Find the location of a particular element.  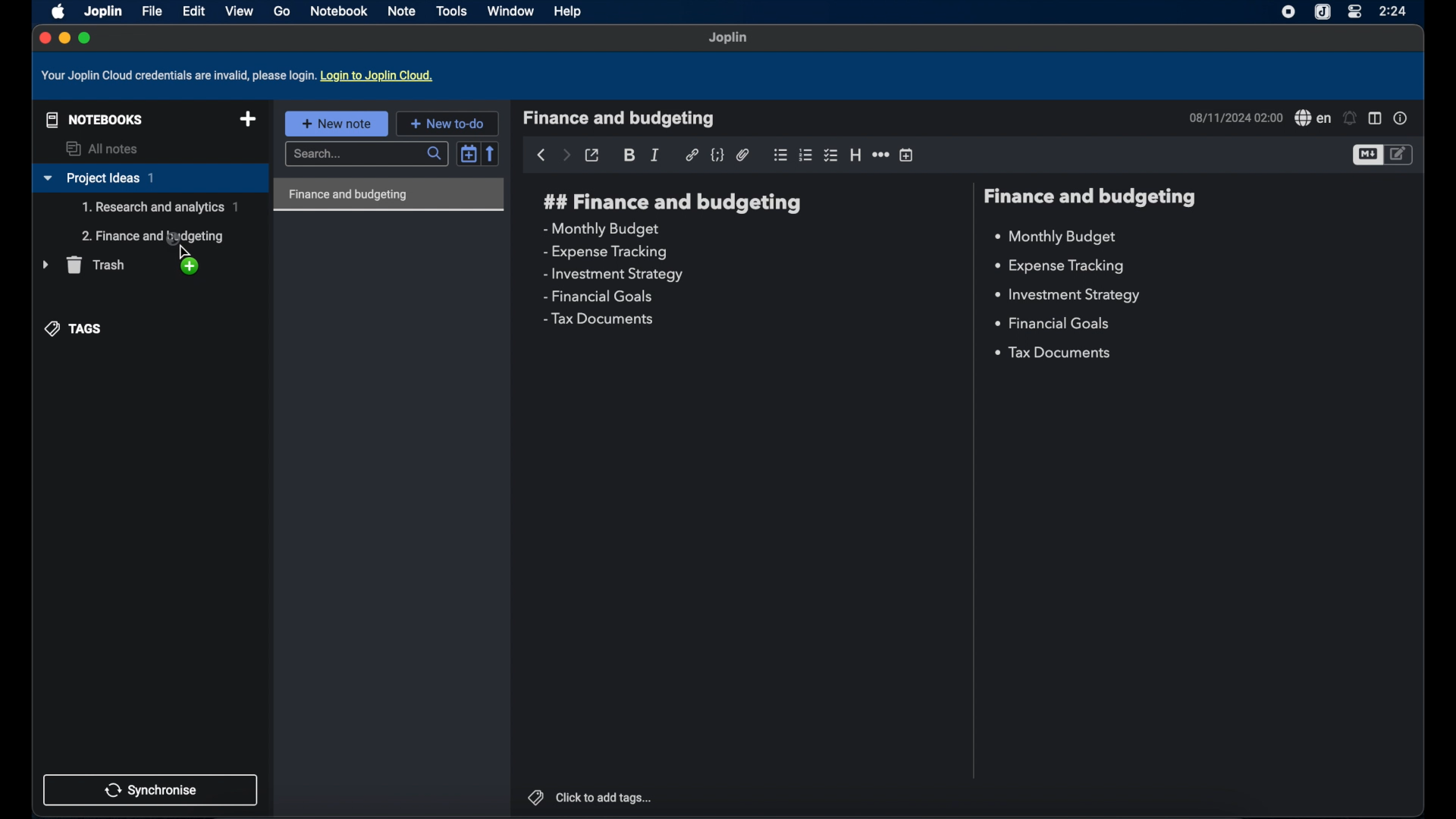

screen recorder icon is located at coordinates (1285, 12).